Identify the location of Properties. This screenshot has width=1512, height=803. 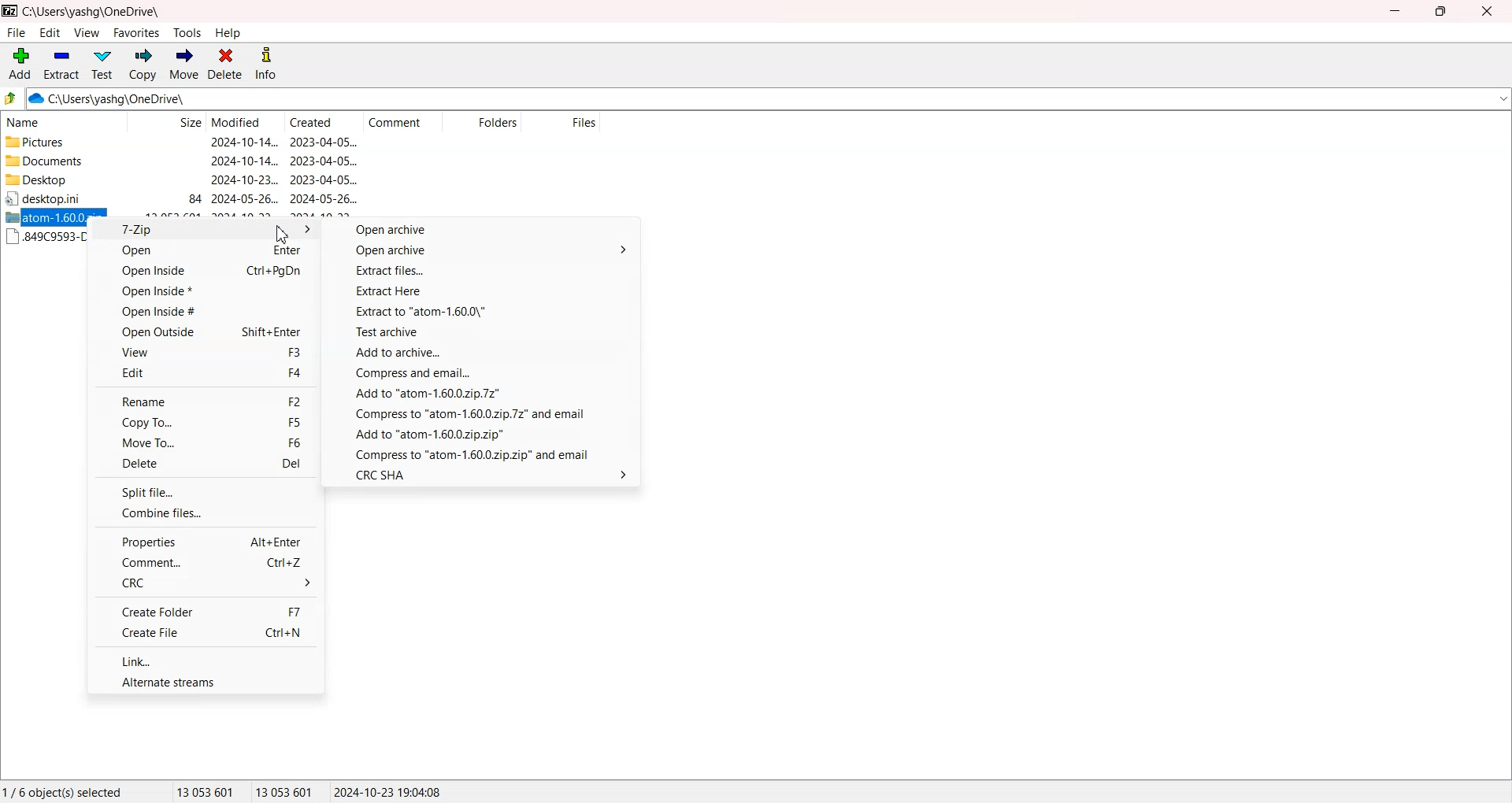
(205, 541).